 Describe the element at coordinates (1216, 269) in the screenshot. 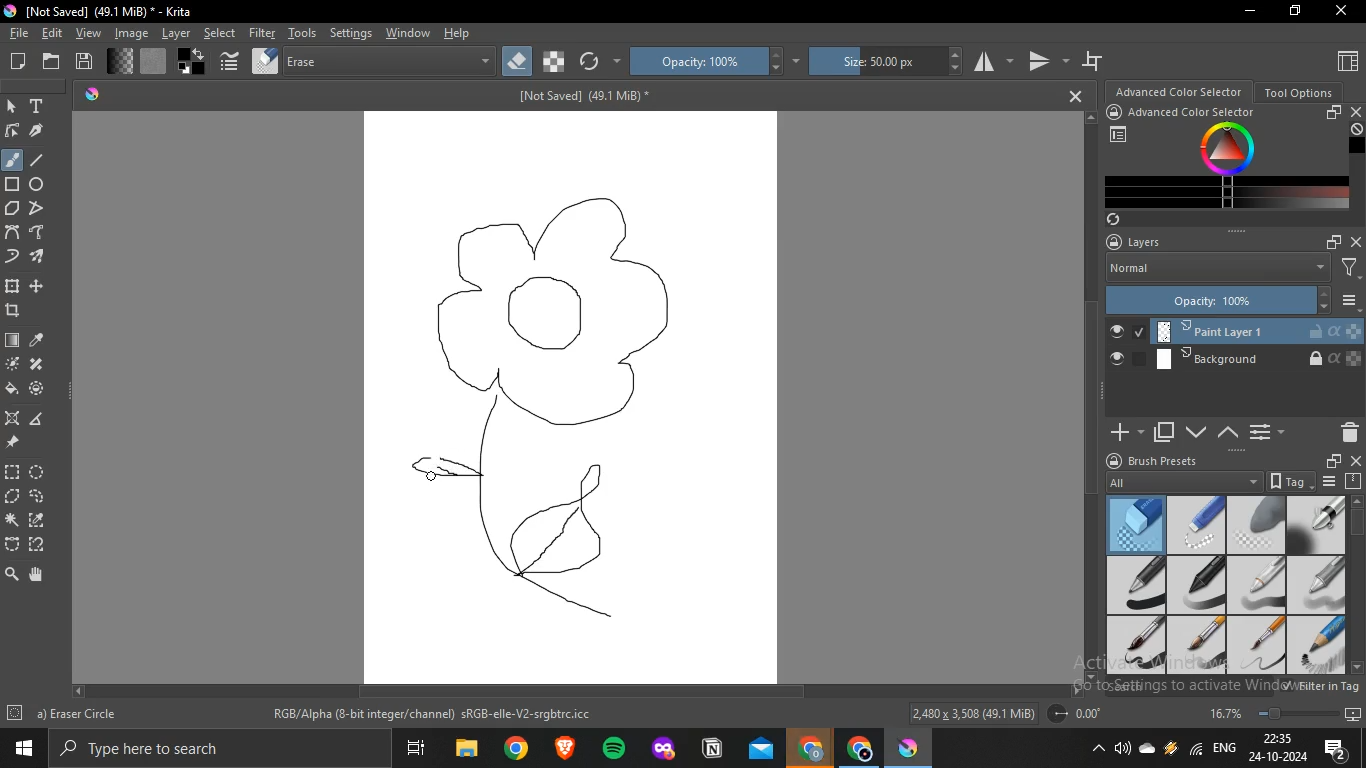

I see `Normal` at that location.